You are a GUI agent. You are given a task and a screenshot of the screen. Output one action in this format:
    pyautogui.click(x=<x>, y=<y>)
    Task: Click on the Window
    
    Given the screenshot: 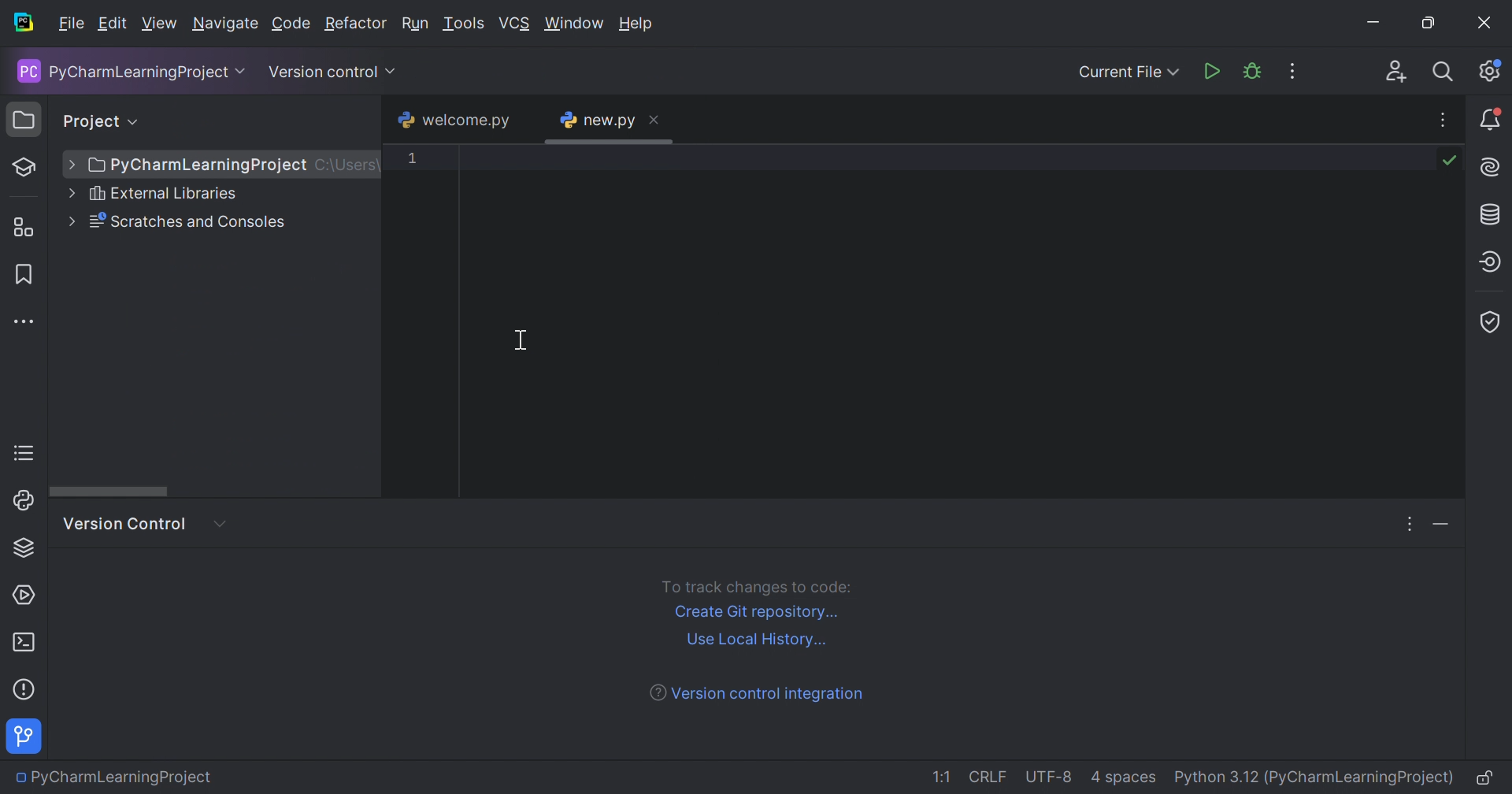 What is the action you would take?
    pyautogui.click(x=576, y=24)
    